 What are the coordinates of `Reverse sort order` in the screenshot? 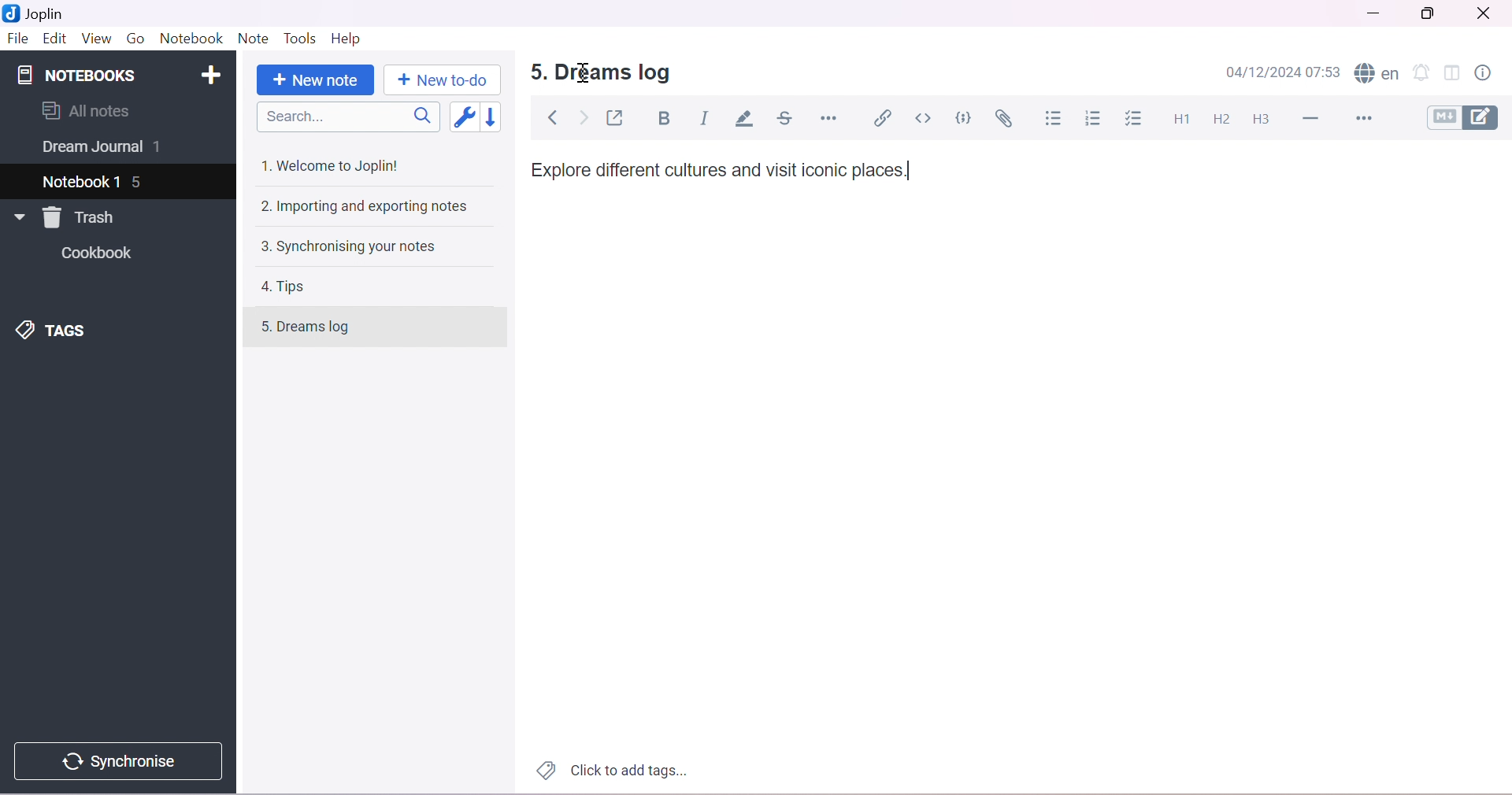 It's located at (499, 117).